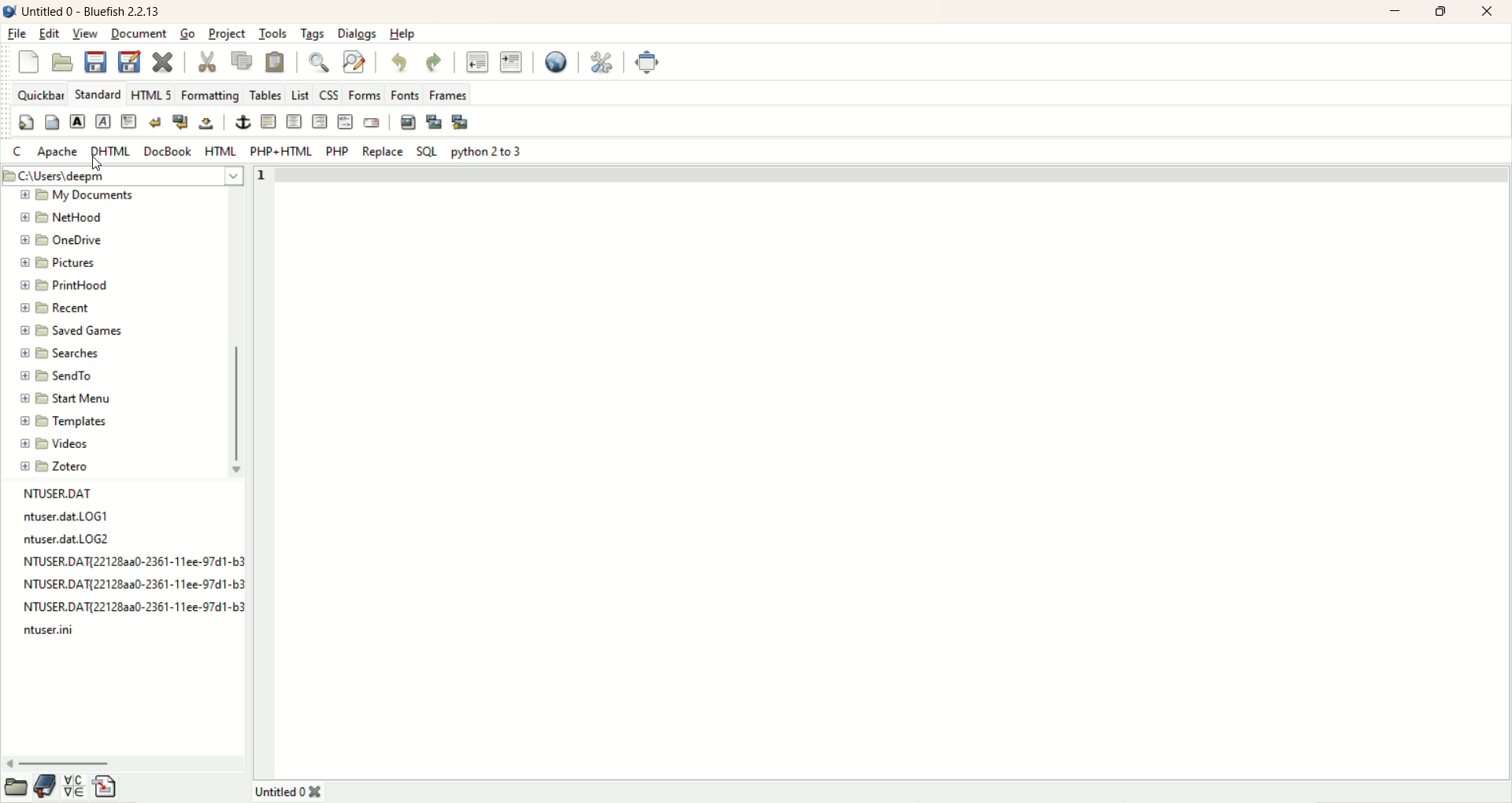 This screenshot has width=1512, height=803. What do you see at coordinates (51, 122) in the screenshot?
I see `body` at bounding box center [51, 122].